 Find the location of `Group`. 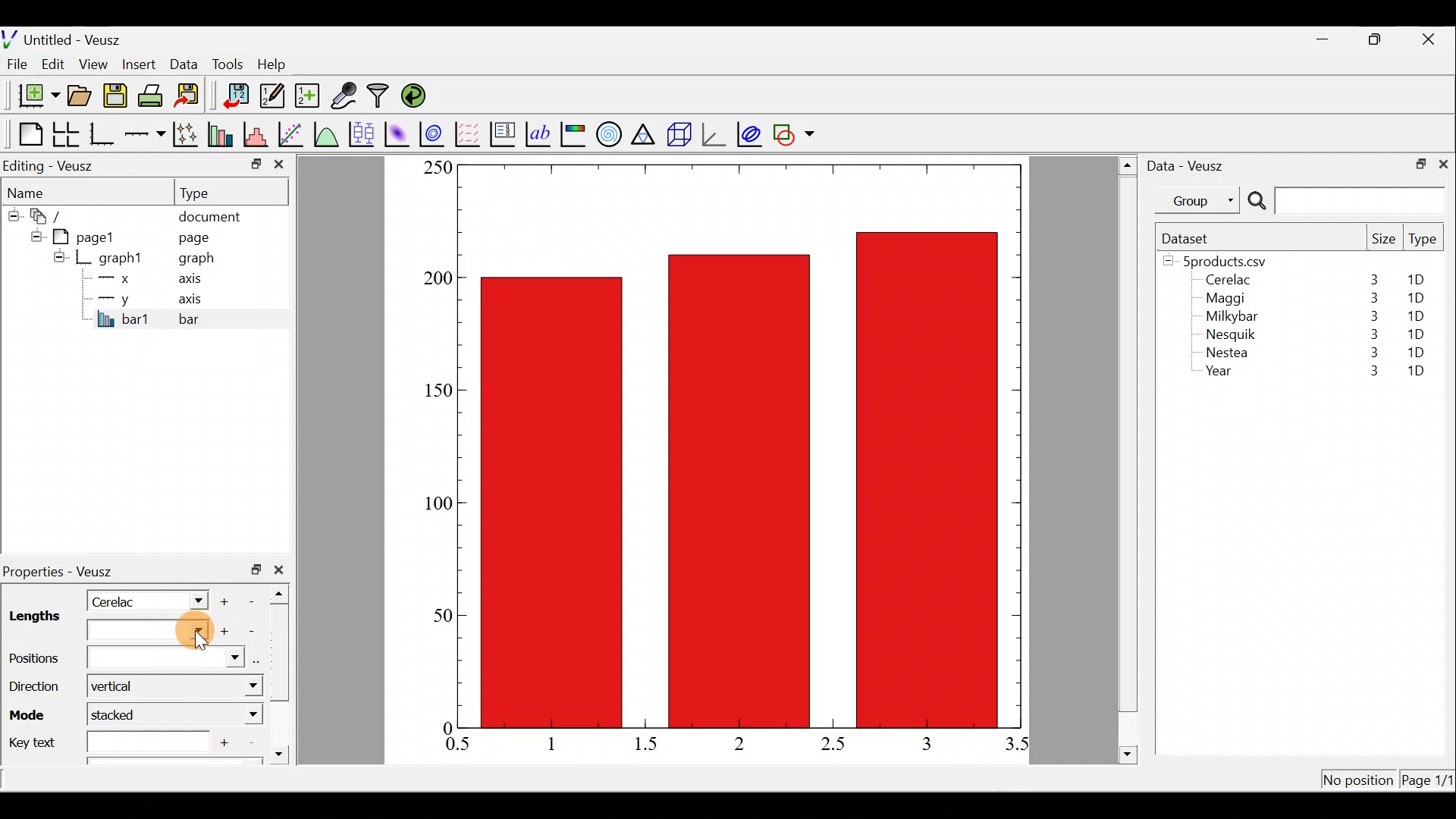

Group is located at coordinates (1200, 199).